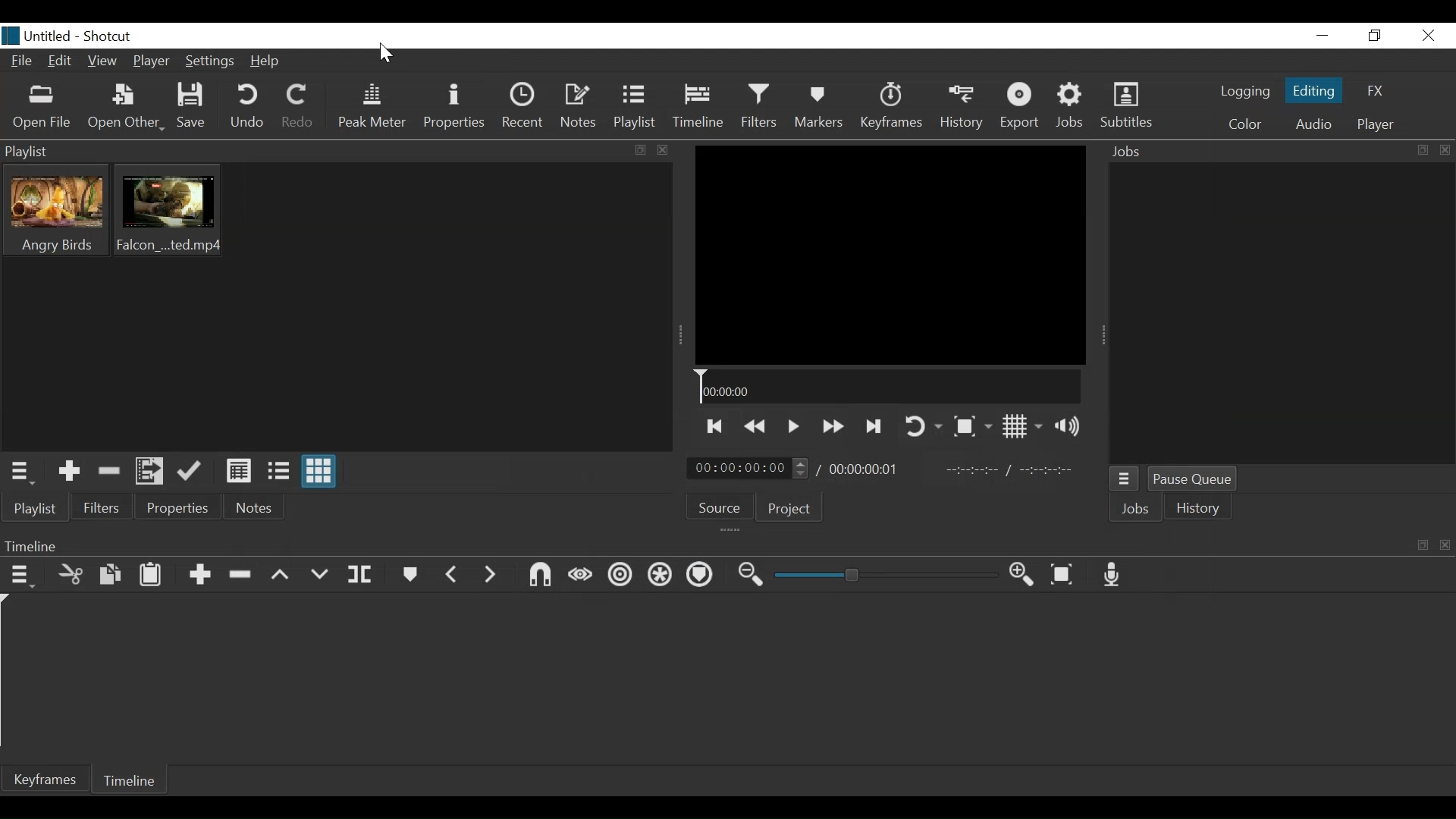  I want to click on FX, so click(1376, 92).